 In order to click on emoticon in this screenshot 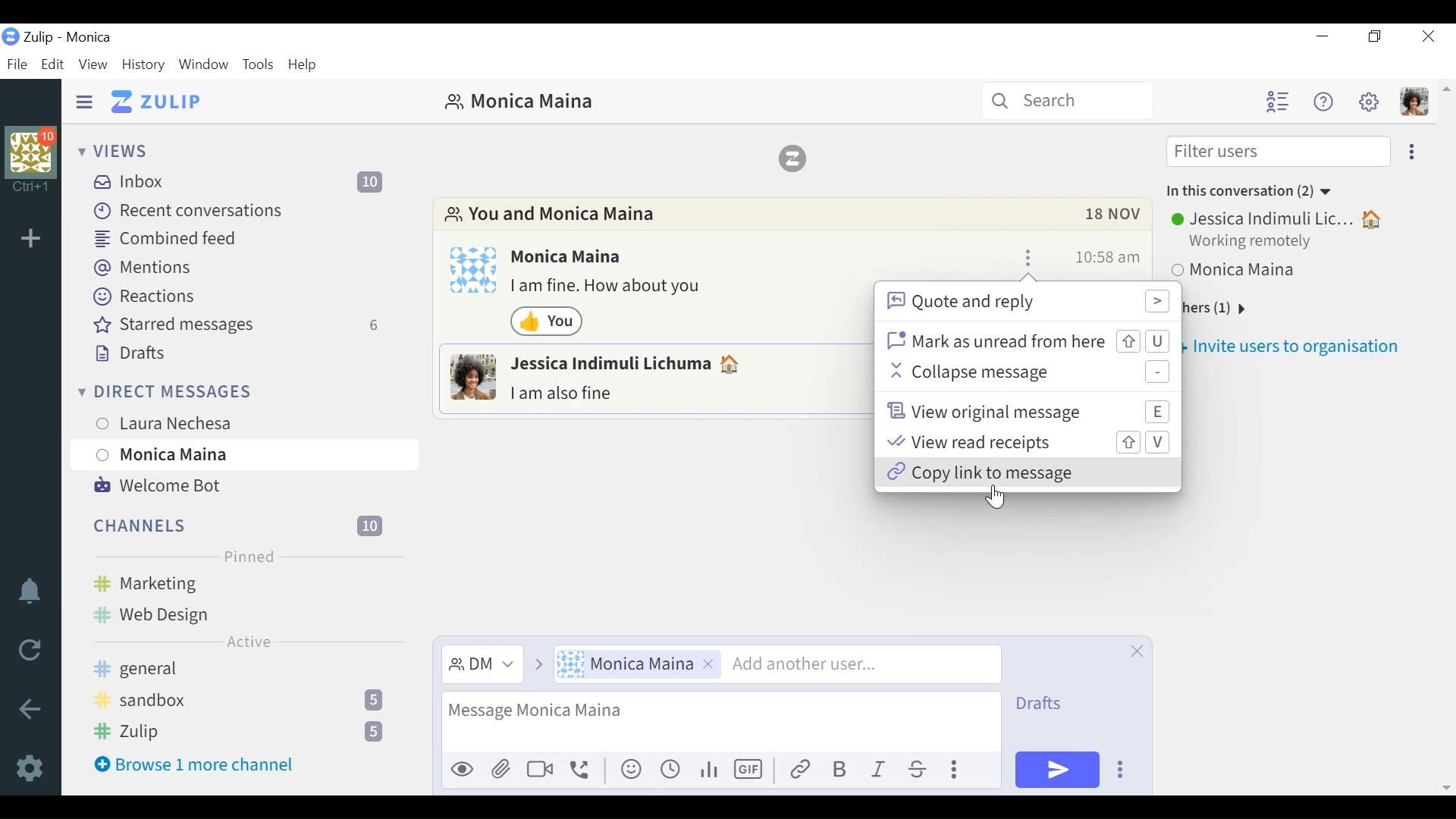, I will do `click(633, 770)`.